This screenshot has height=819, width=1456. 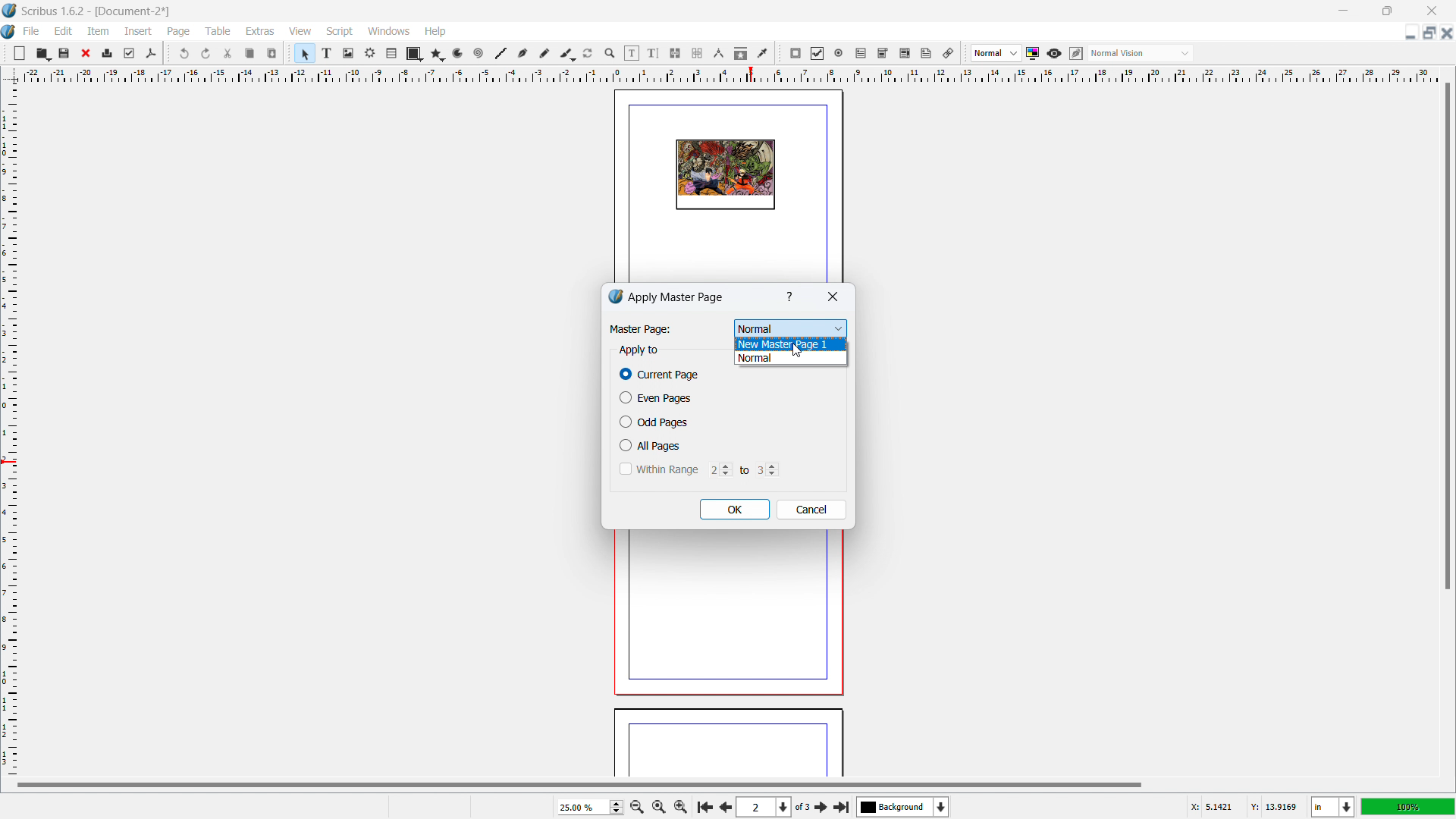 What do you see at coordinates (653, 53) in the screenshot?
I see `edit text with story editor` at bounding box center [653, 53].